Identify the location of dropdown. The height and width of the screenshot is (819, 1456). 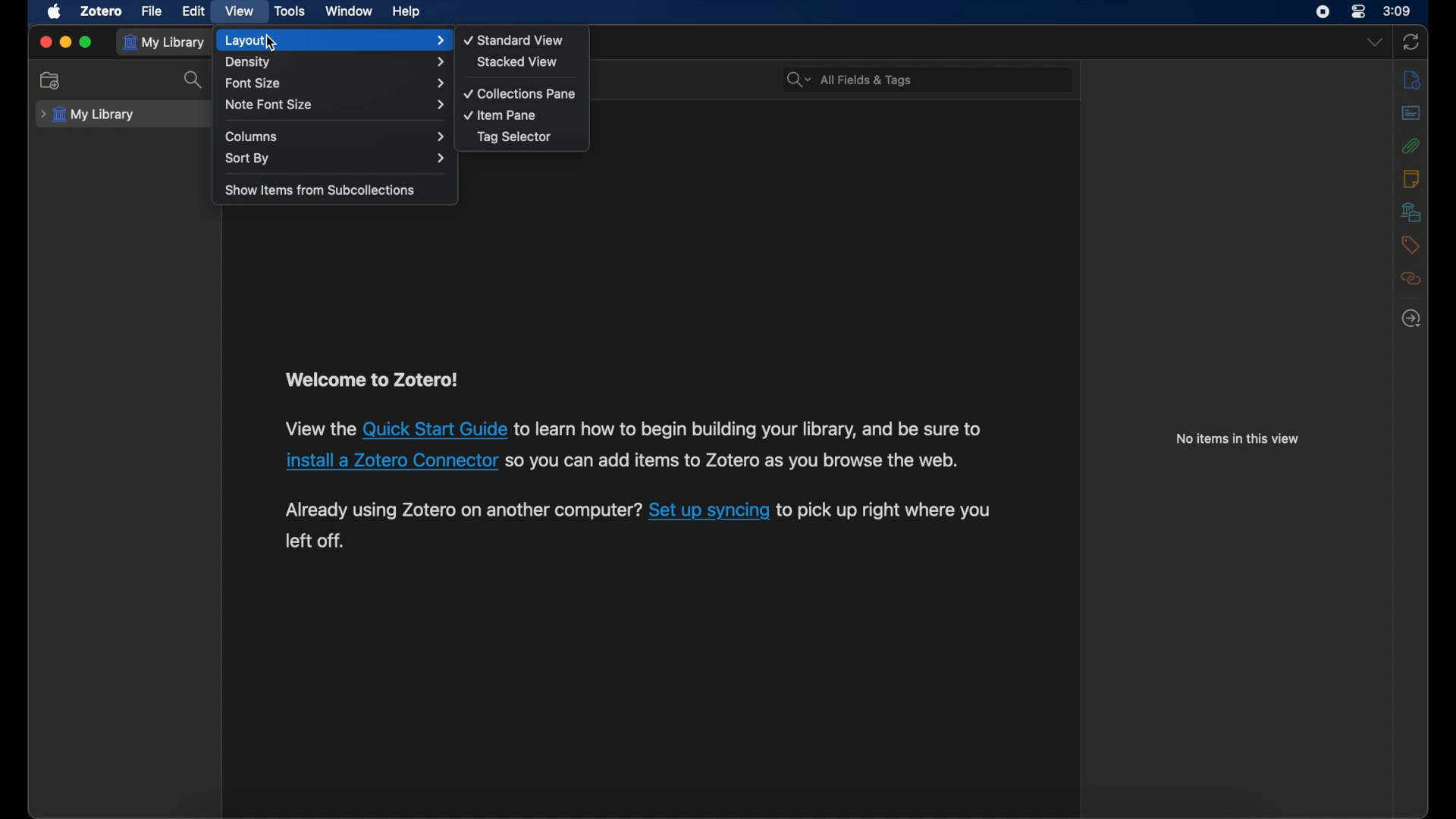
(1374, 42).